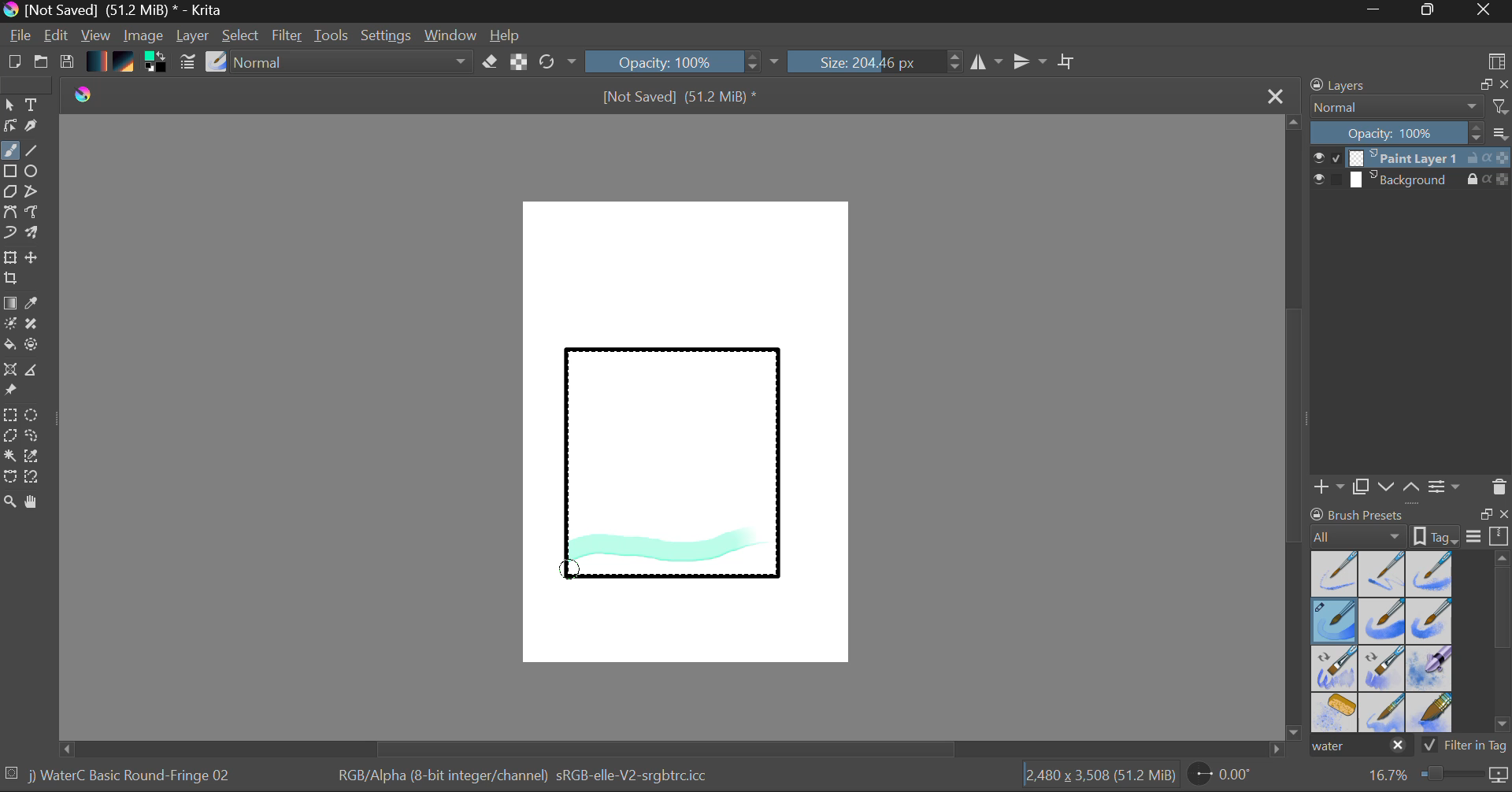 This screenshot has width=1512, height=792. I want to click on Scroll Bar, so click(1295, 429).